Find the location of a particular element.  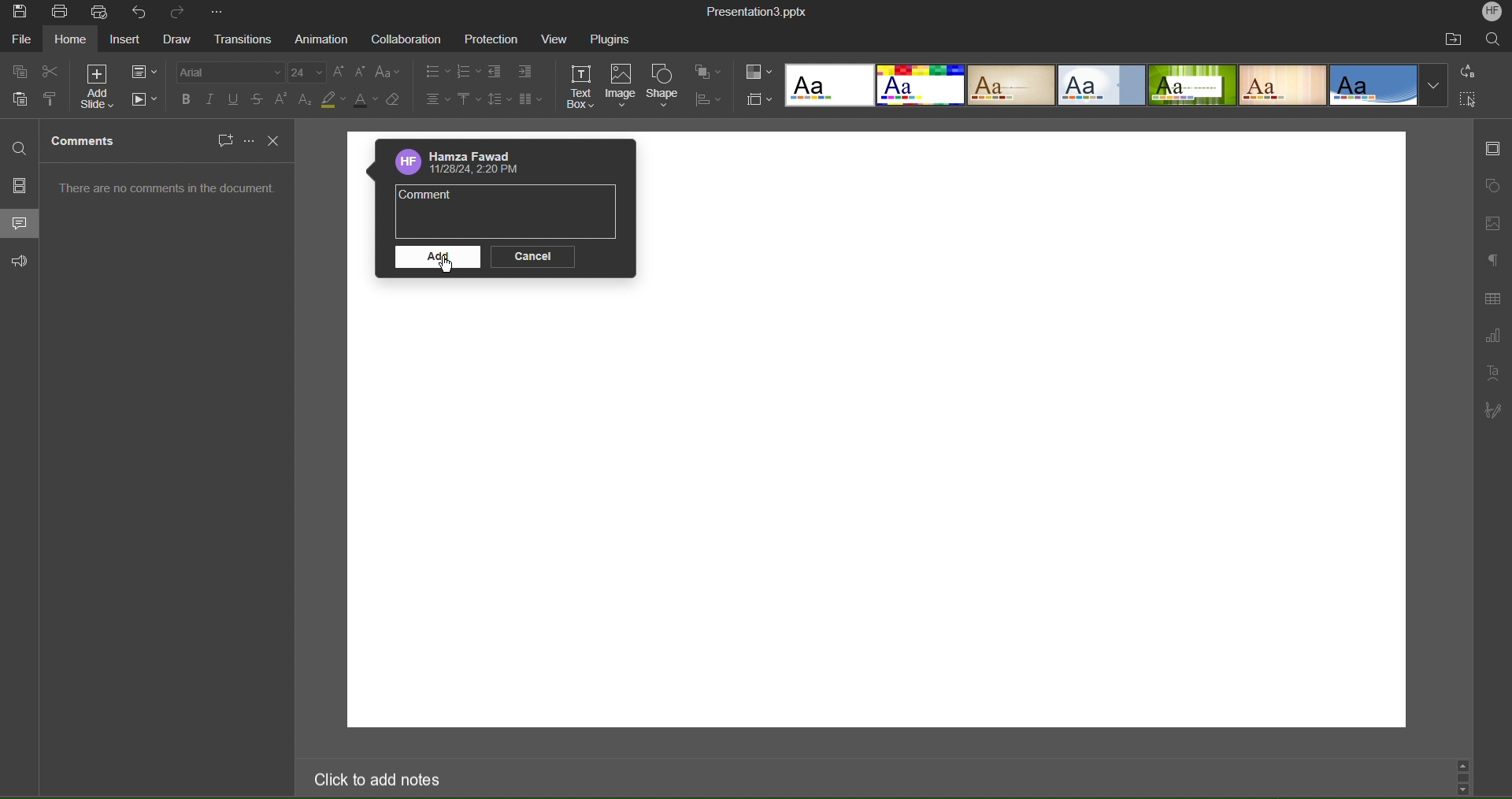

Open File Location is located at coordinates (1453, 40).